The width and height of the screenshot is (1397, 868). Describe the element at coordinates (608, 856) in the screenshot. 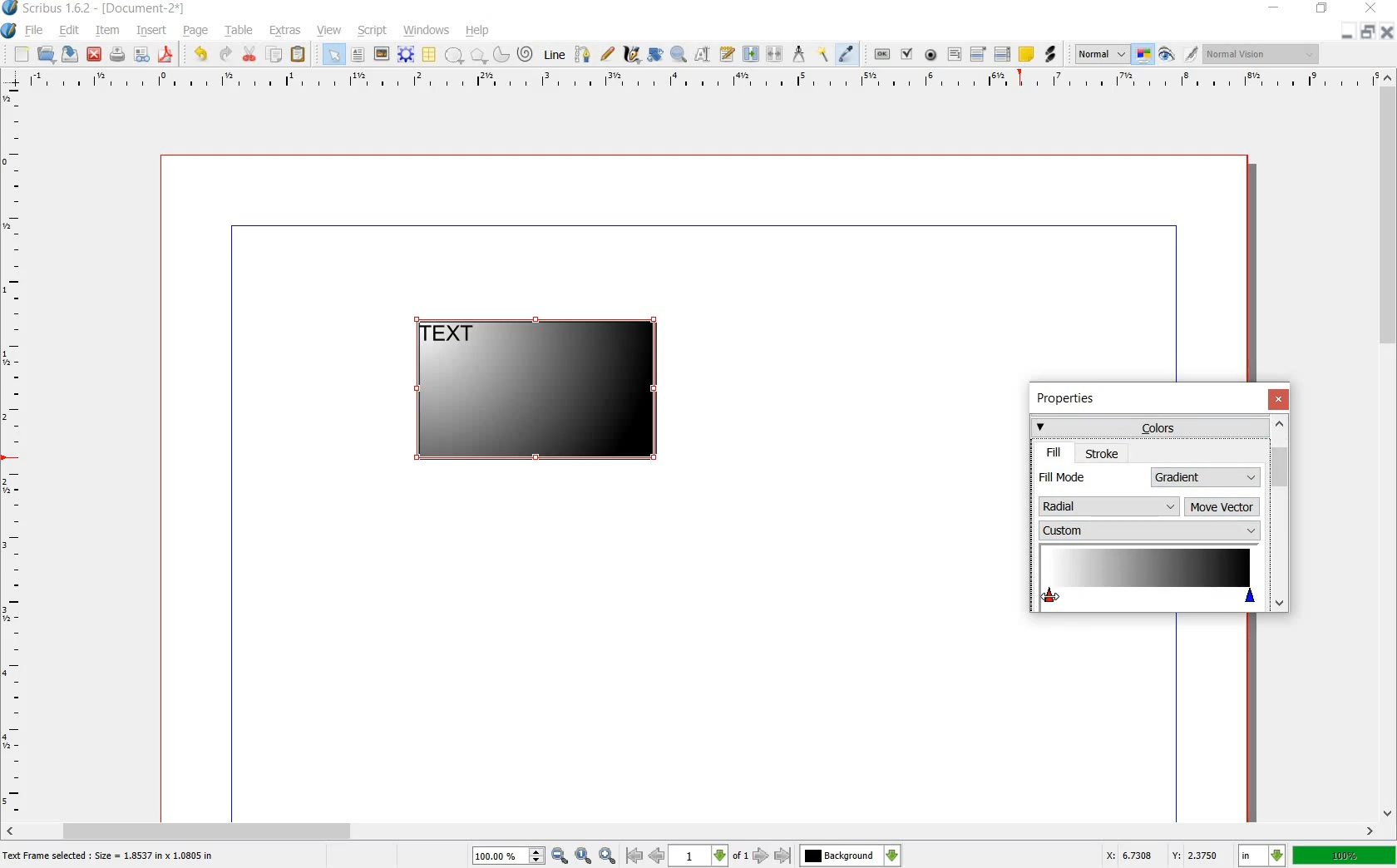

I see `zoom in` at that location.